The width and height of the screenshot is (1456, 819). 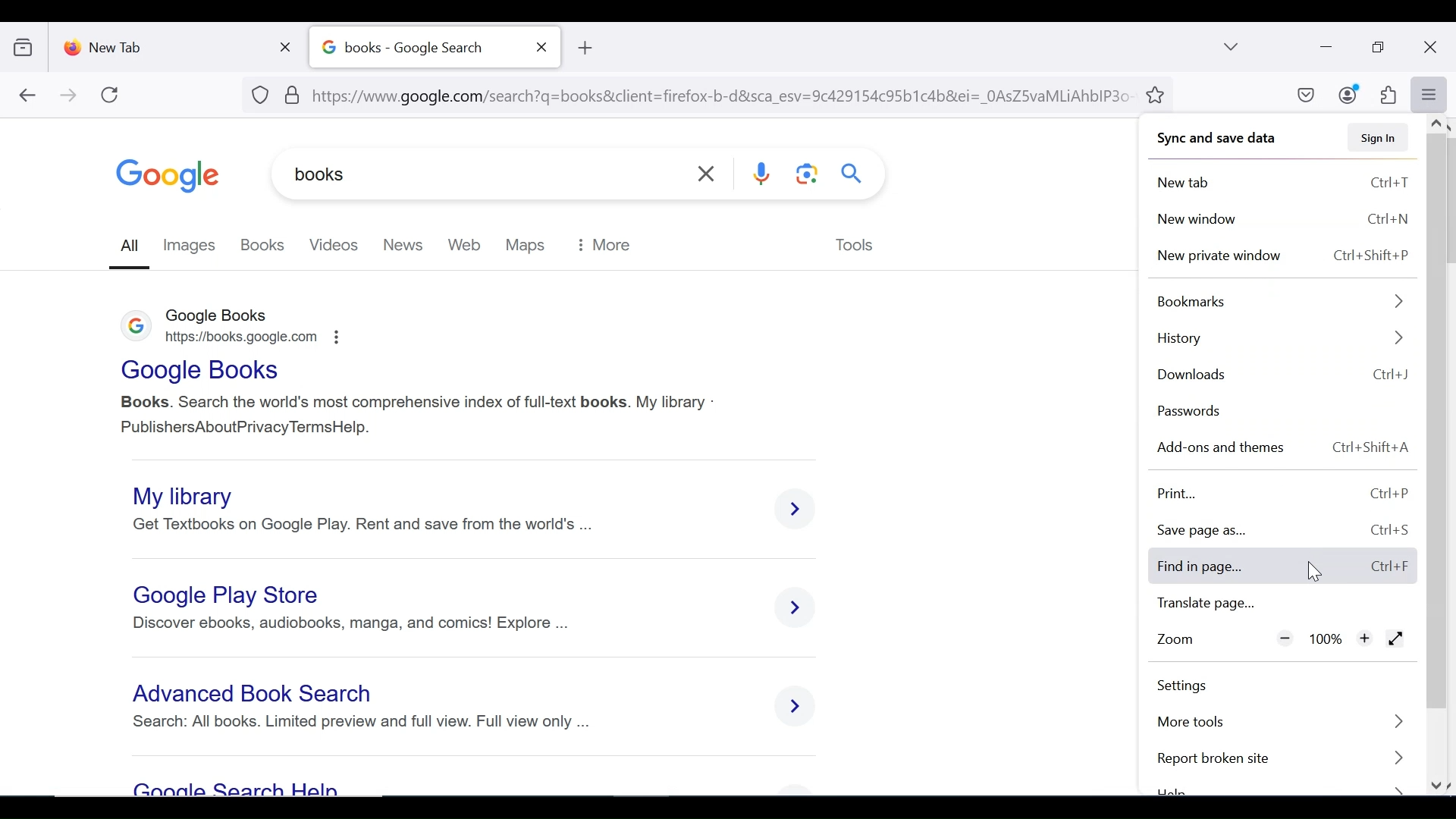 I want to click on save to pocket, so click(x=1304, y=96).